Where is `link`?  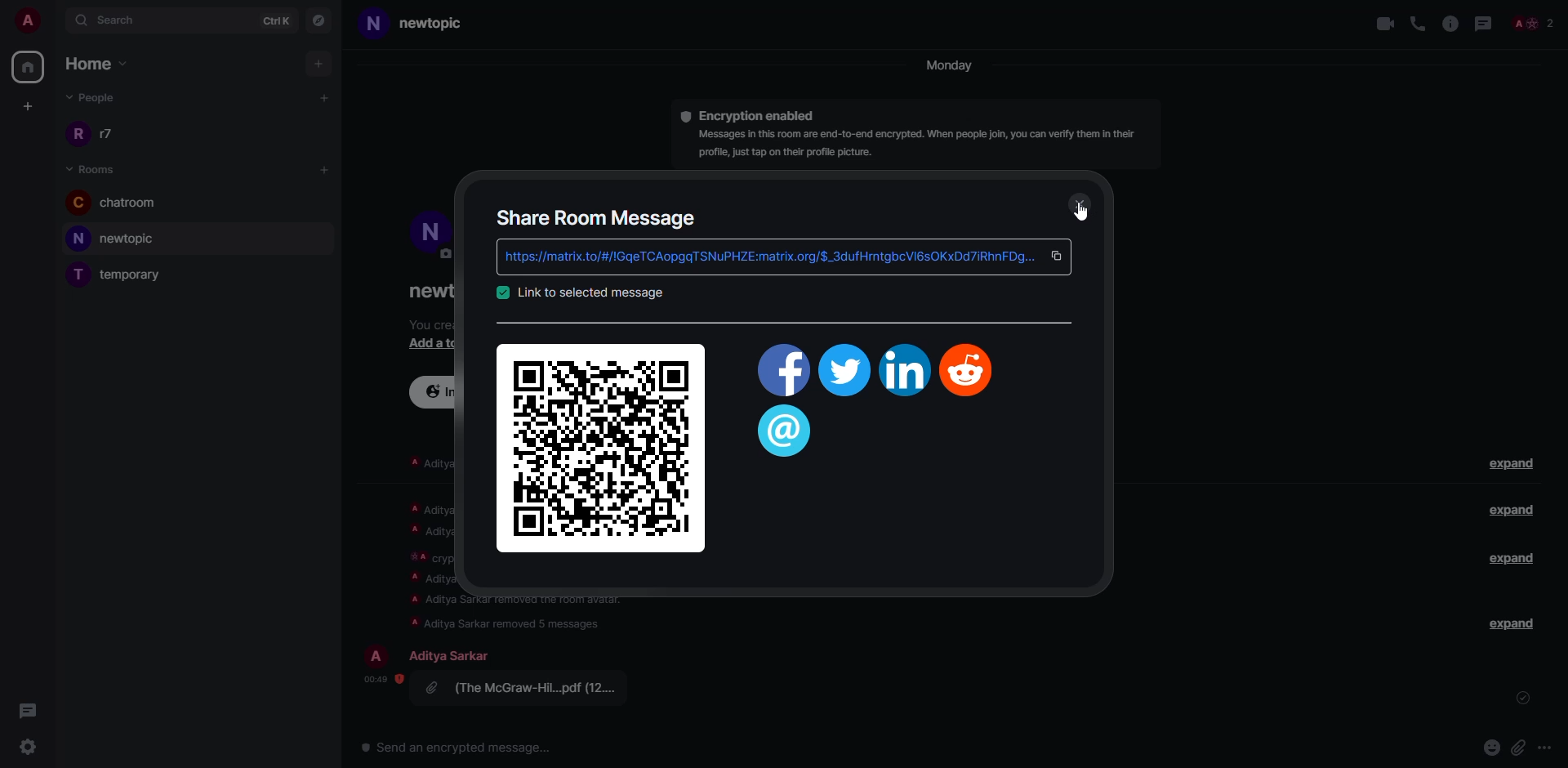 link is located at coordinates (590, 292).